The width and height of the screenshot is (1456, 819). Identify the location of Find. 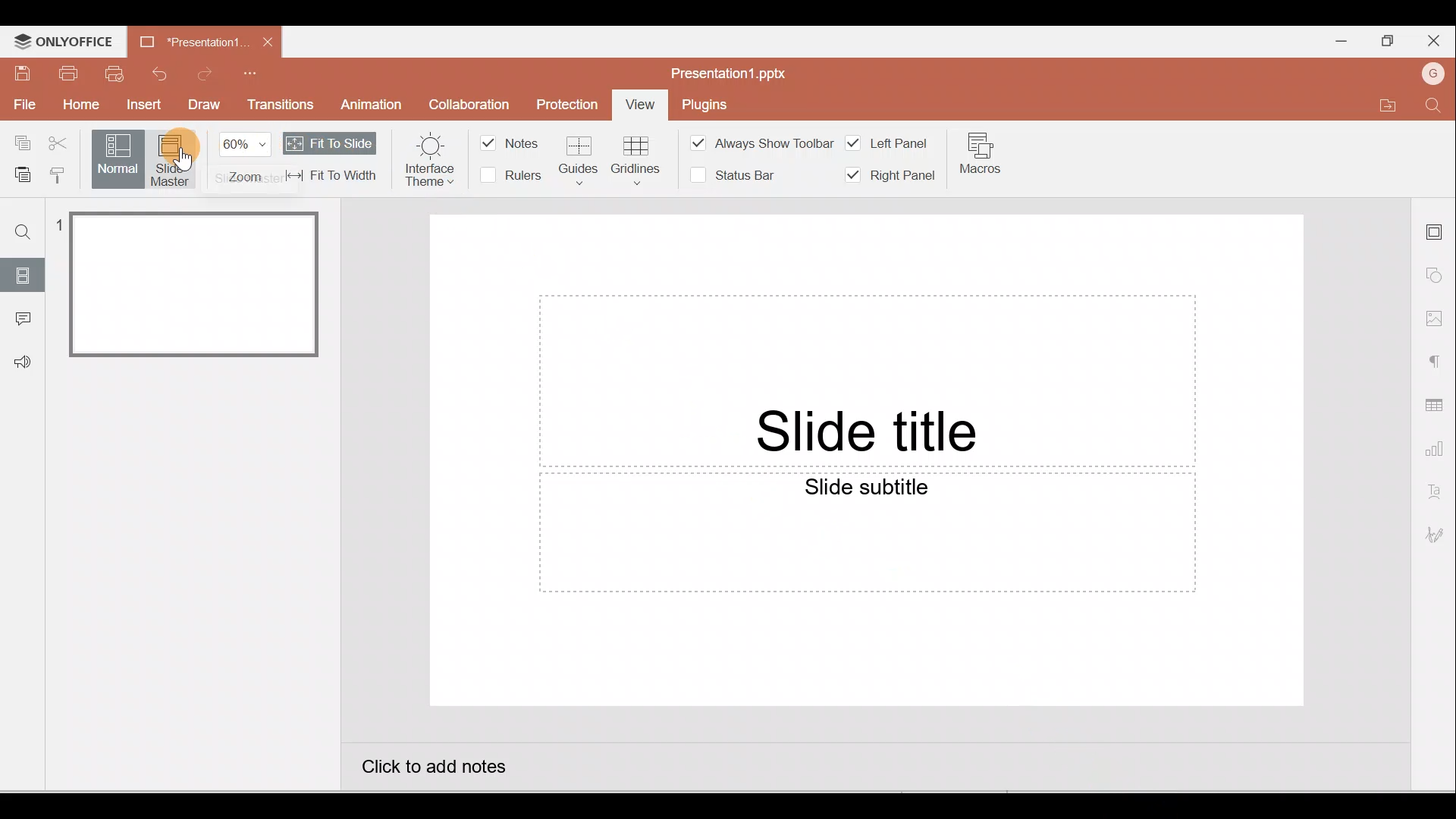
(1435, 108).